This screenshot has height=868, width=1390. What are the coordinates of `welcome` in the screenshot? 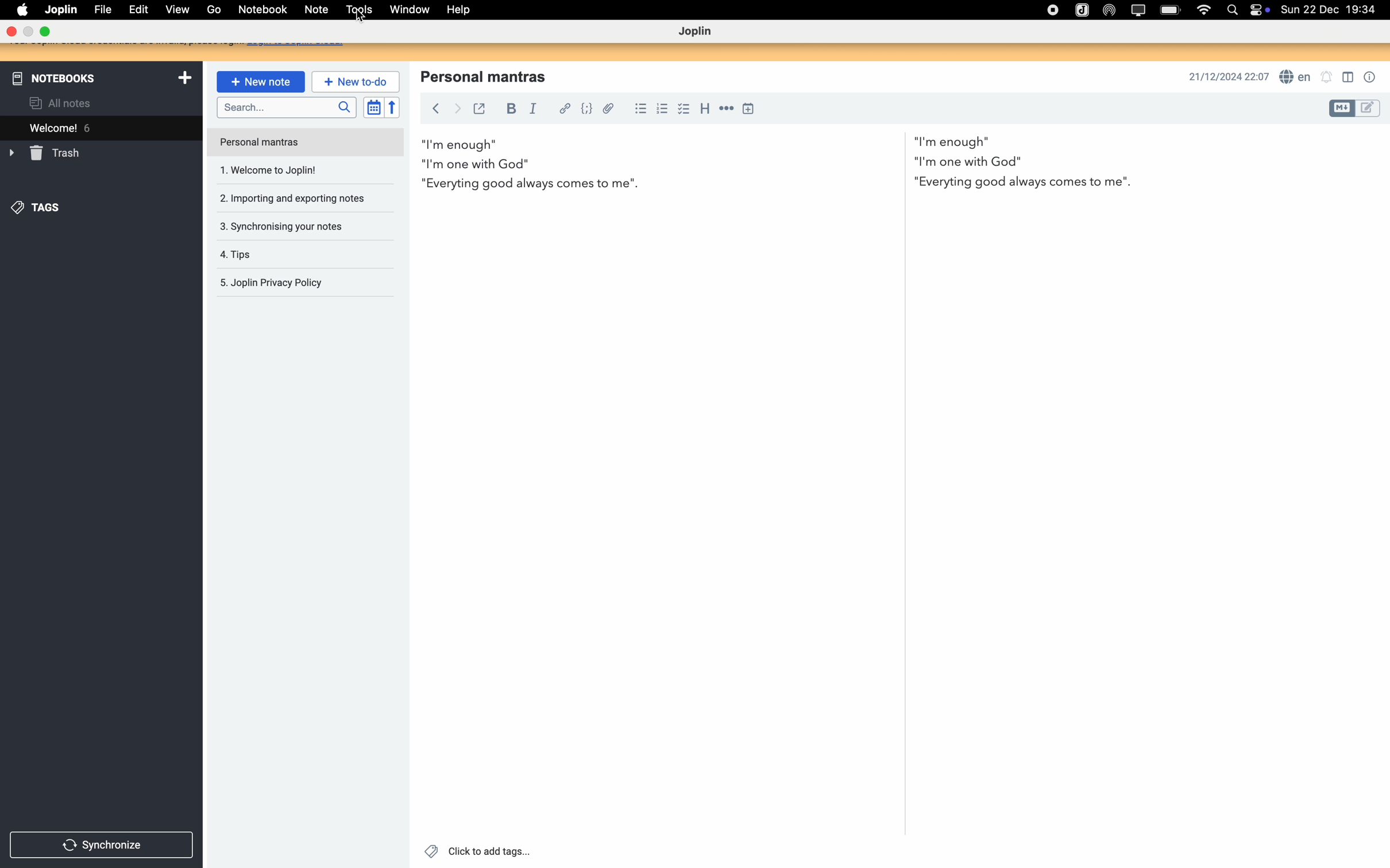 It's located at (99, 129).